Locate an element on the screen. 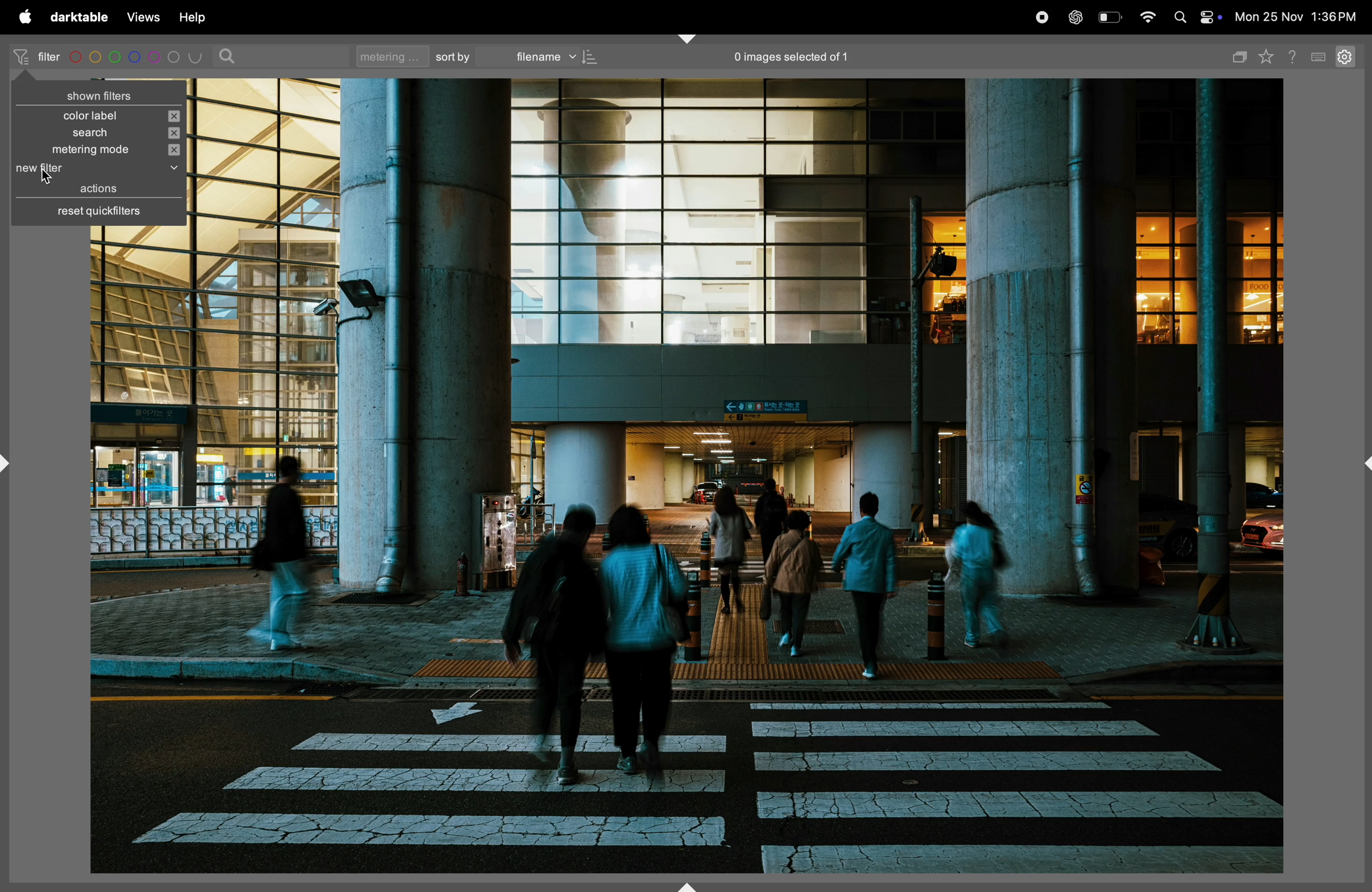 The image size is (1372, 892). date and time is located at coordinates (1296, 18).